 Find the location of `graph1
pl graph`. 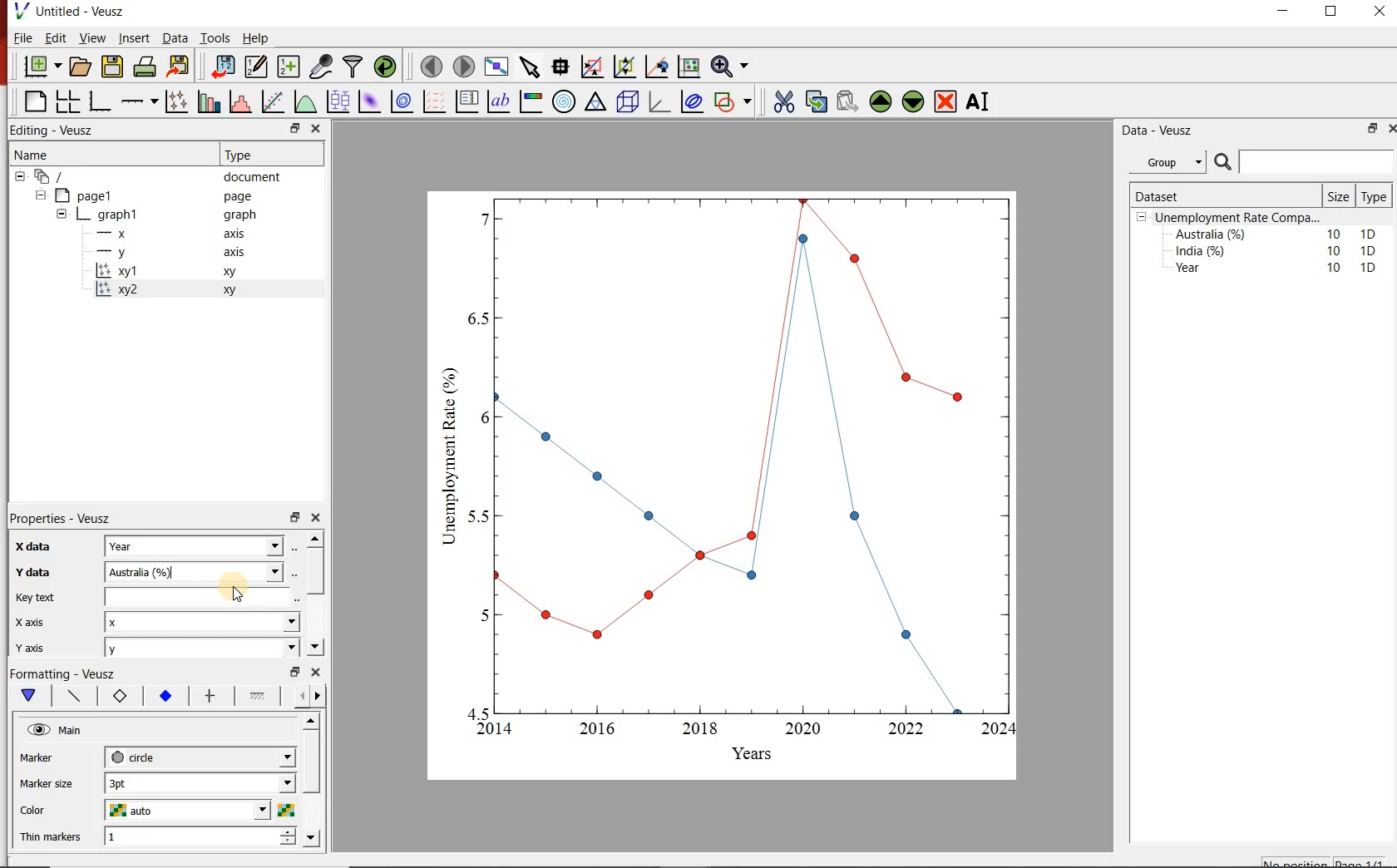

graph1
pl graph is located at coordinates (172, 215).